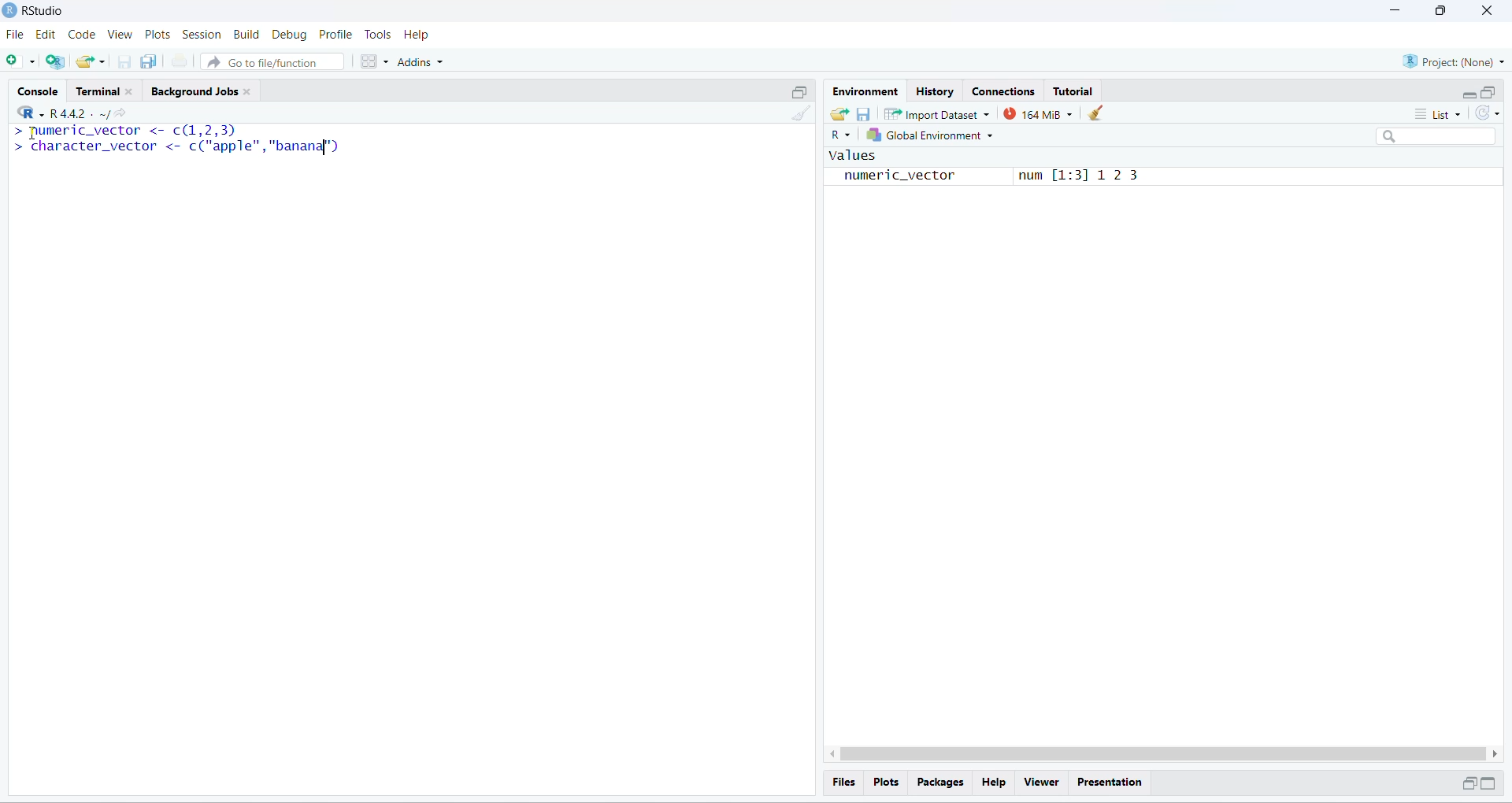  Describe the element at coordinates (1469, 96) in the screenshot. I see `minimize` at that location.